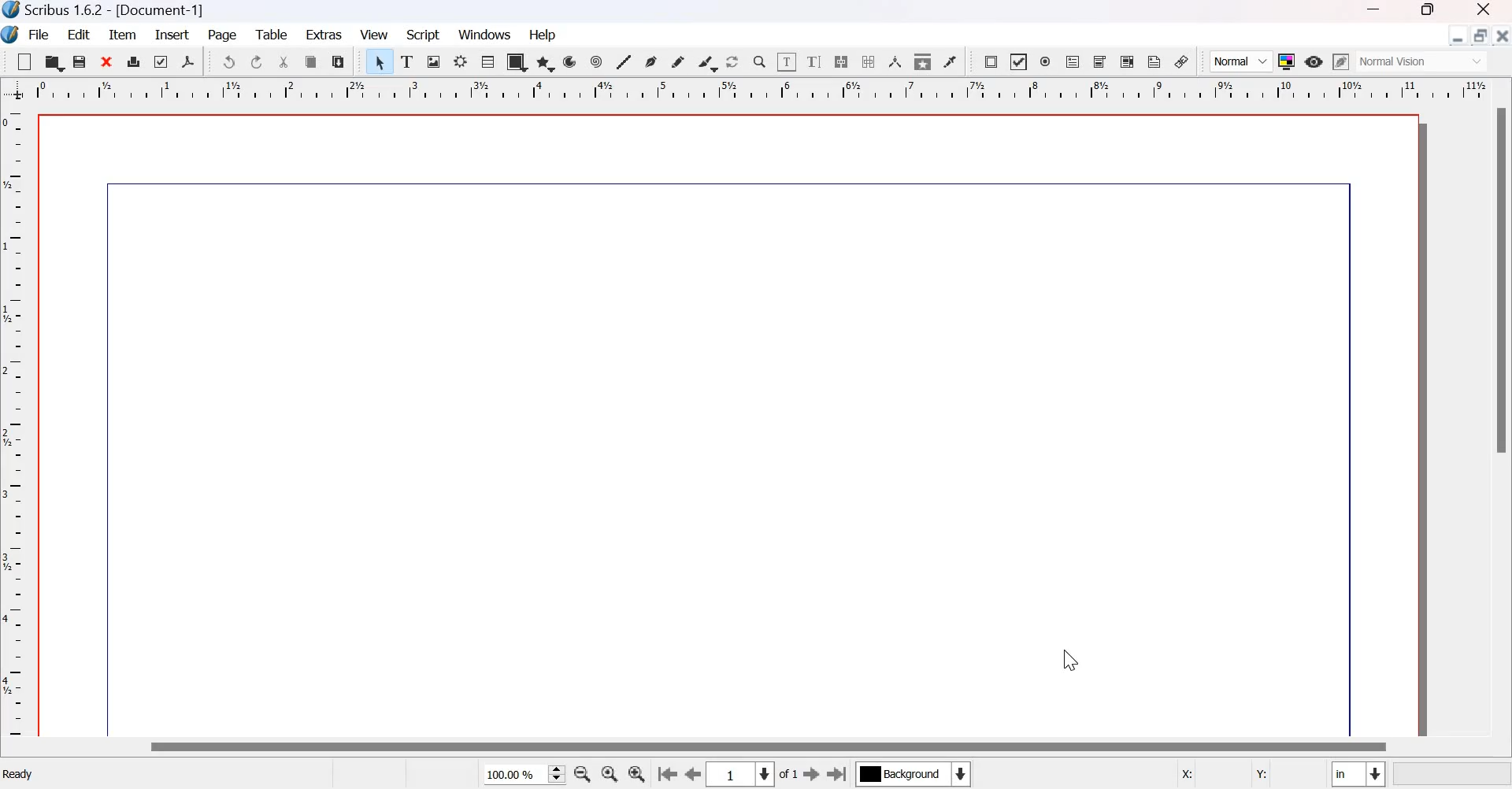 The height and width of the screenshot is (789, 1512). What do you see at coordinates (911, 775) in the screenshot?
I see `Select the current layer` at bounding box center [911, 775].